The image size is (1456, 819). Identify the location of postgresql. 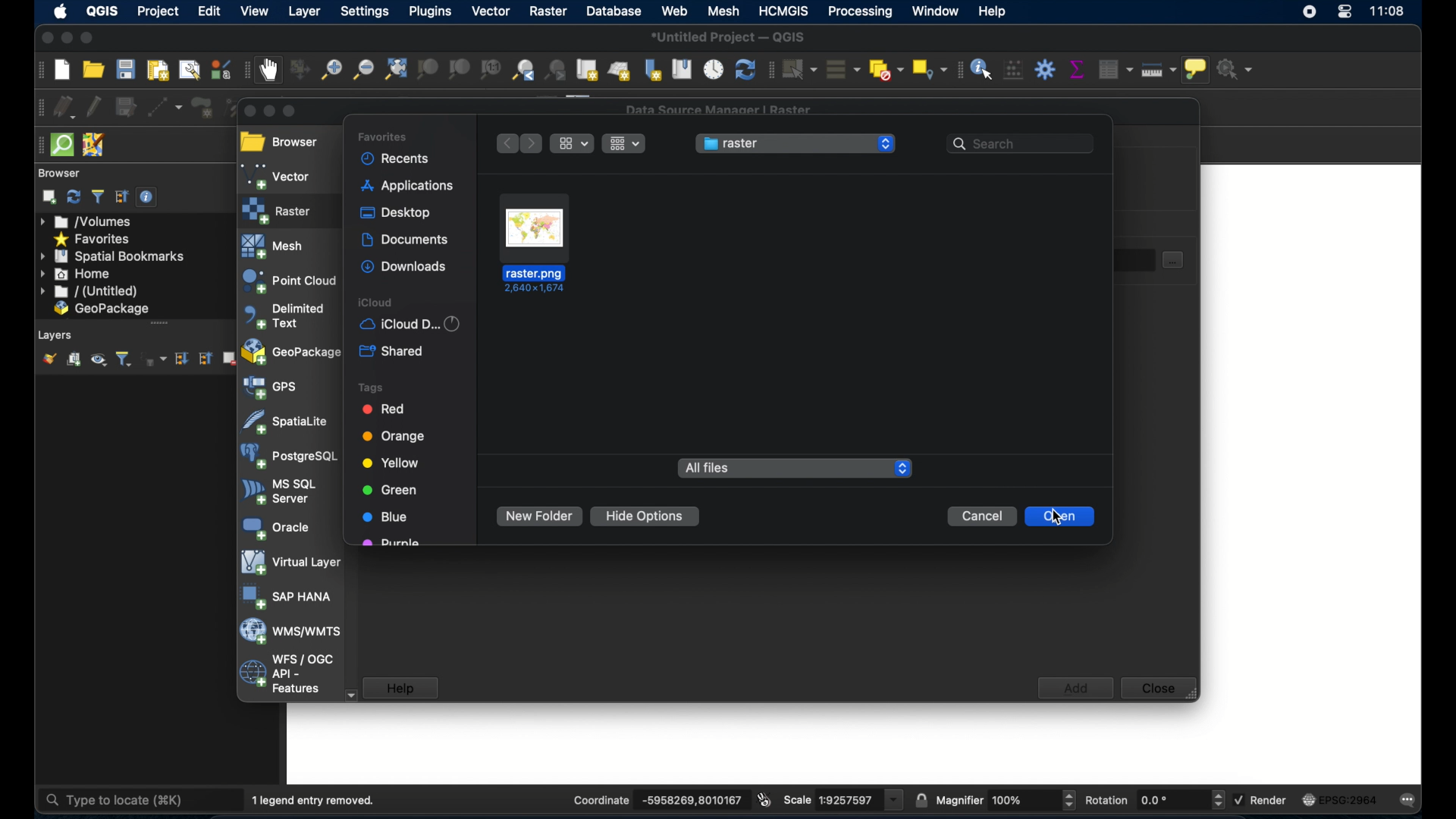
(289, 456).